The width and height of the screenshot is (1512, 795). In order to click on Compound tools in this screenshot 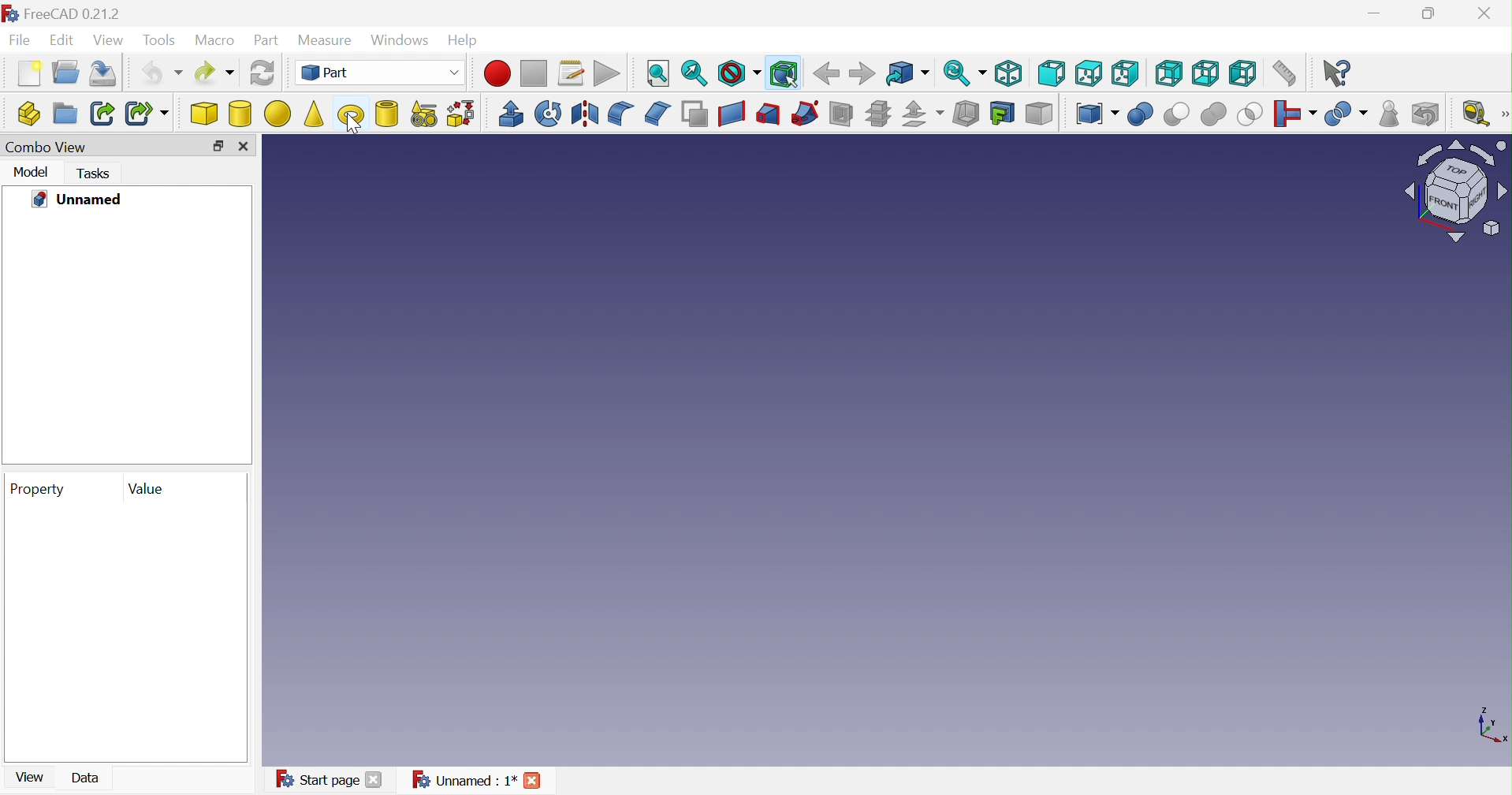, I will do `click(1097, 114)`.